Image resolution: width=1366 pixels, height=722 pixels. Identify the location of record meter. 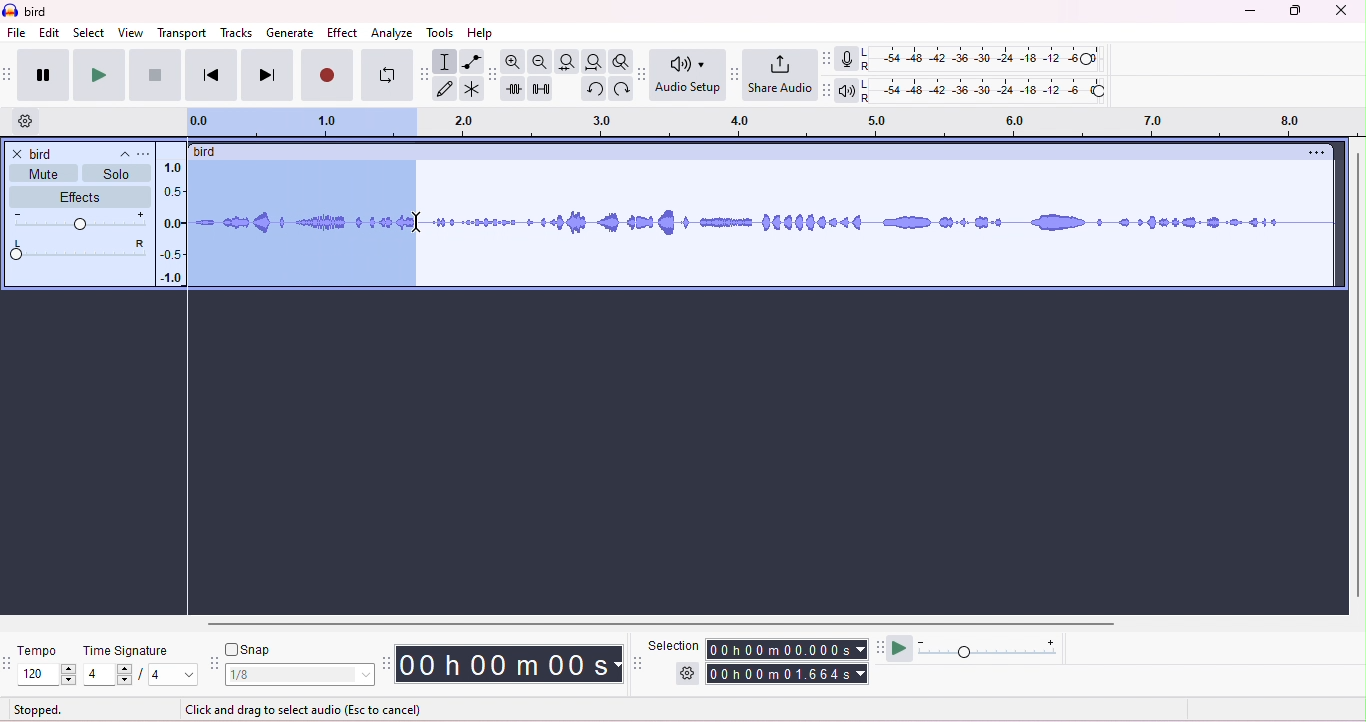
(855, 59).